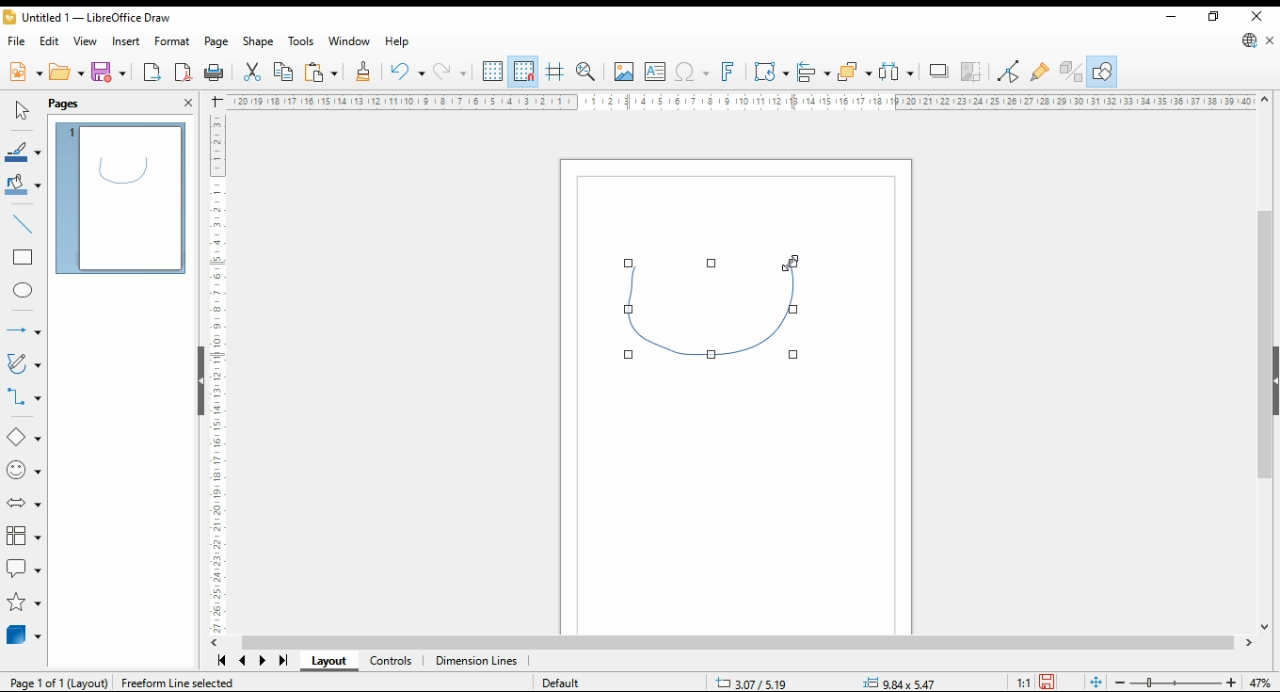 The image size is (1280, 692). I want to click on select at least three objects to distribute, so click(895, 72).